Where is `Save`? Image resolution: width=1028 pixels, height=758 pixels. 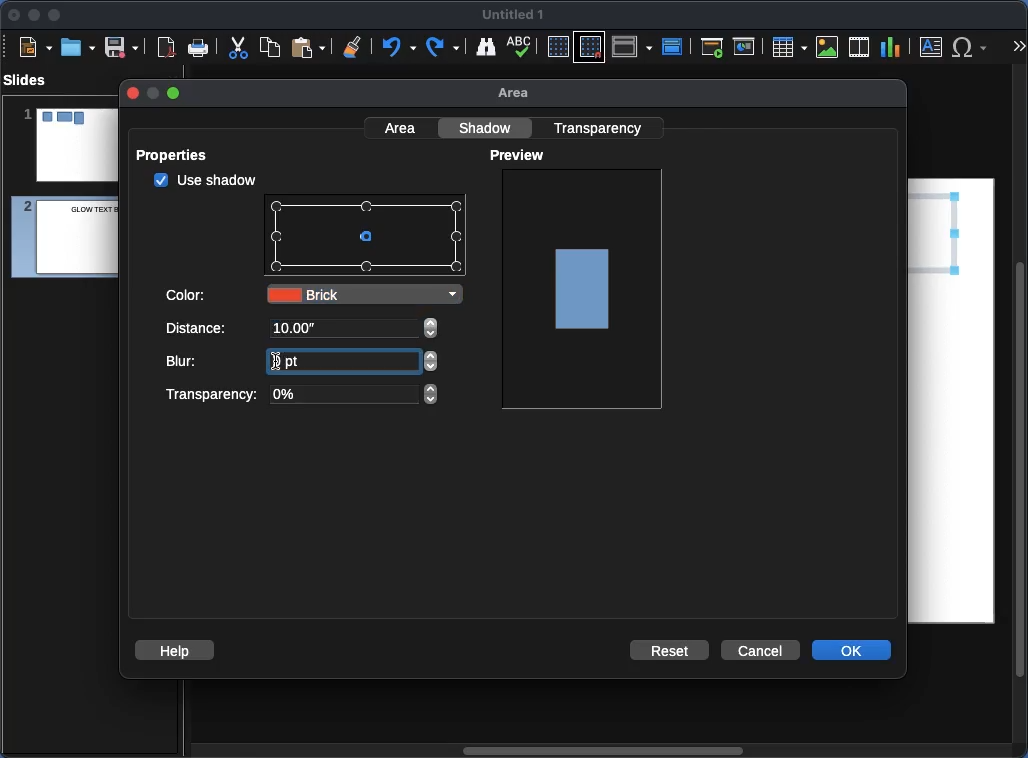
Save is located at coordinates (123, 46).